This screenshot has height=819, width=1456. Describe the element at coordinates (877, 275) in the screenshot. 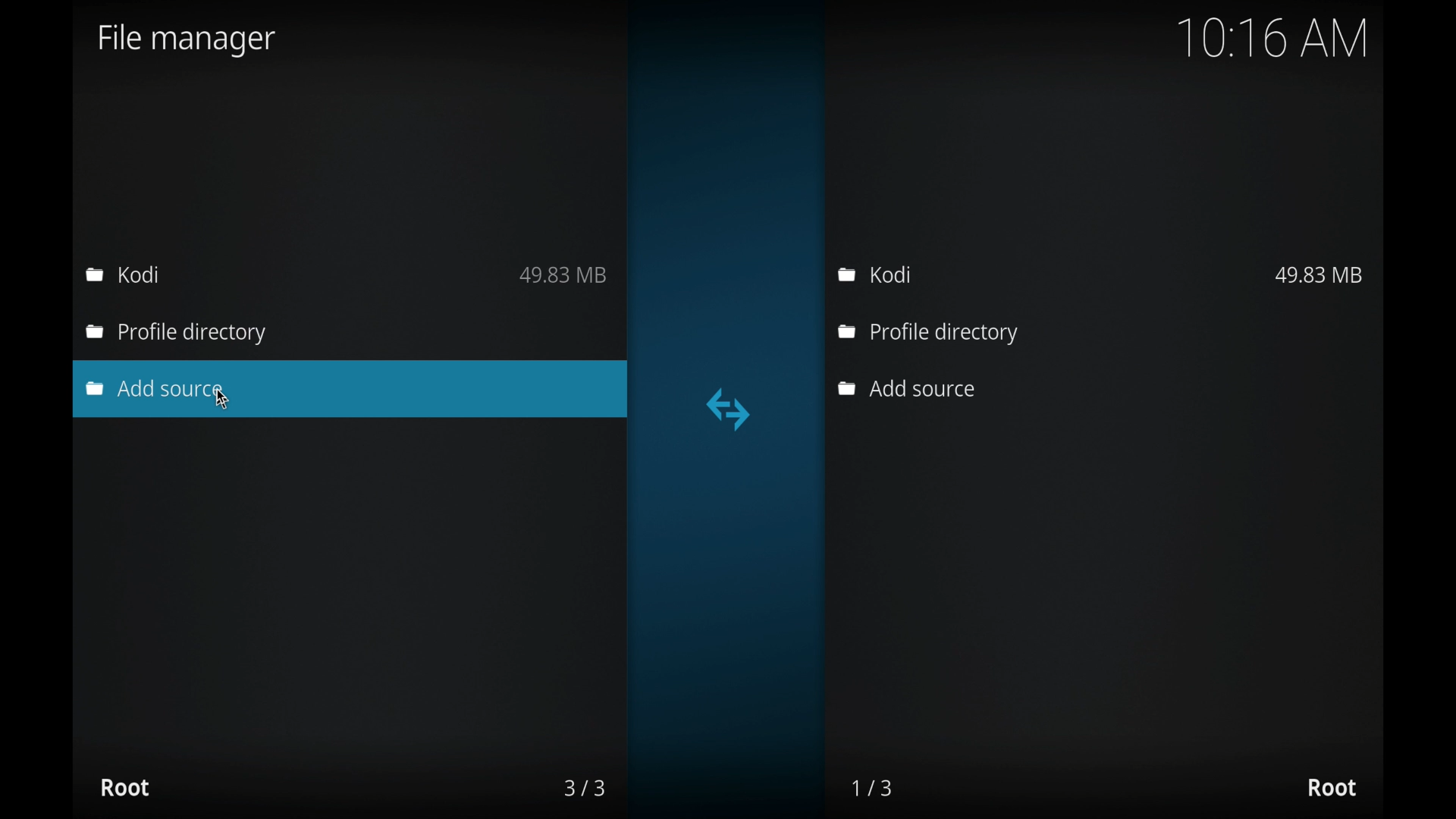

I see `kodi` at that location.